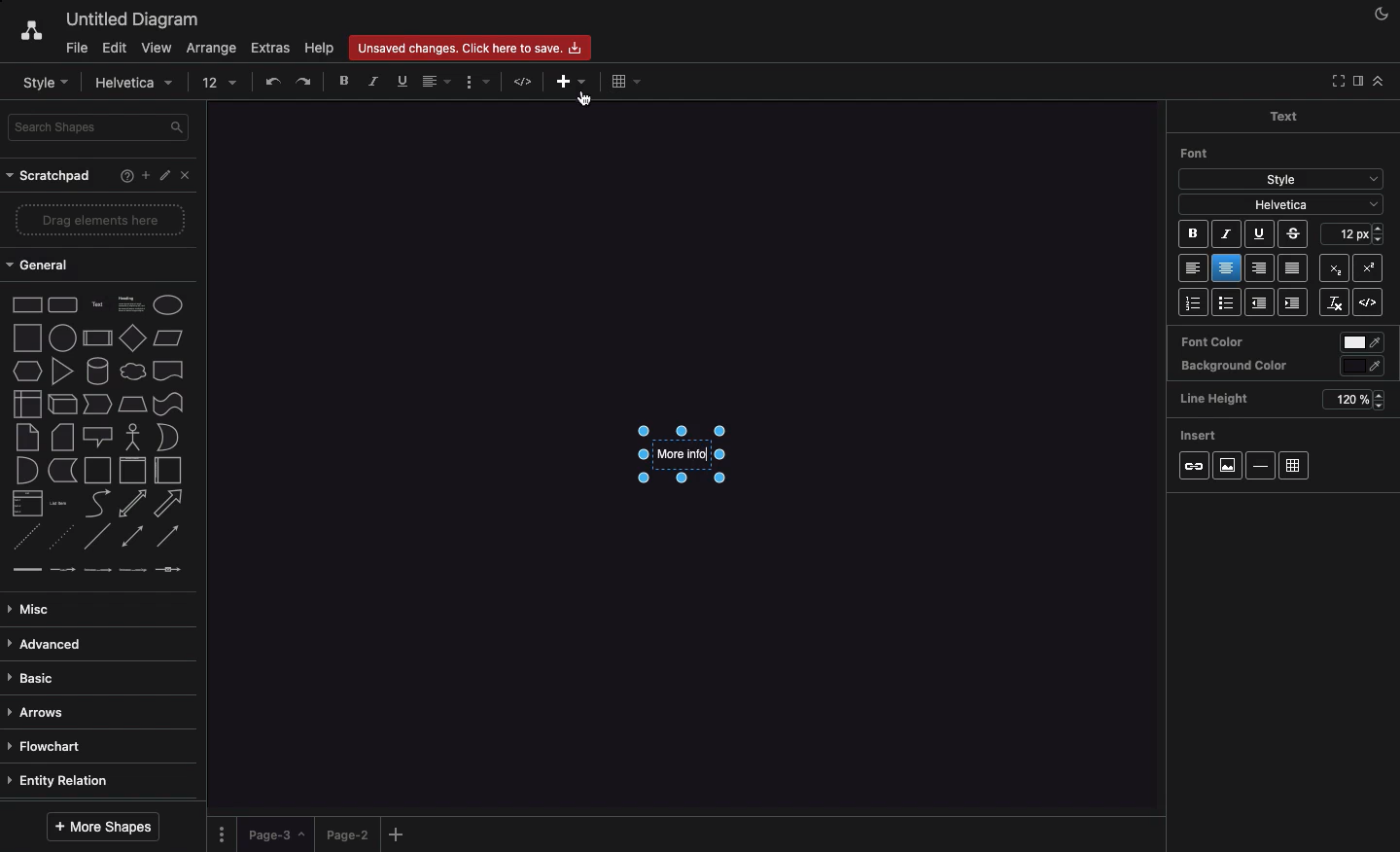 The image size is (1400, 852). Describe the element at coordinates (97, 570) in the screenshot. I see `connector with 2 labels` at that location.